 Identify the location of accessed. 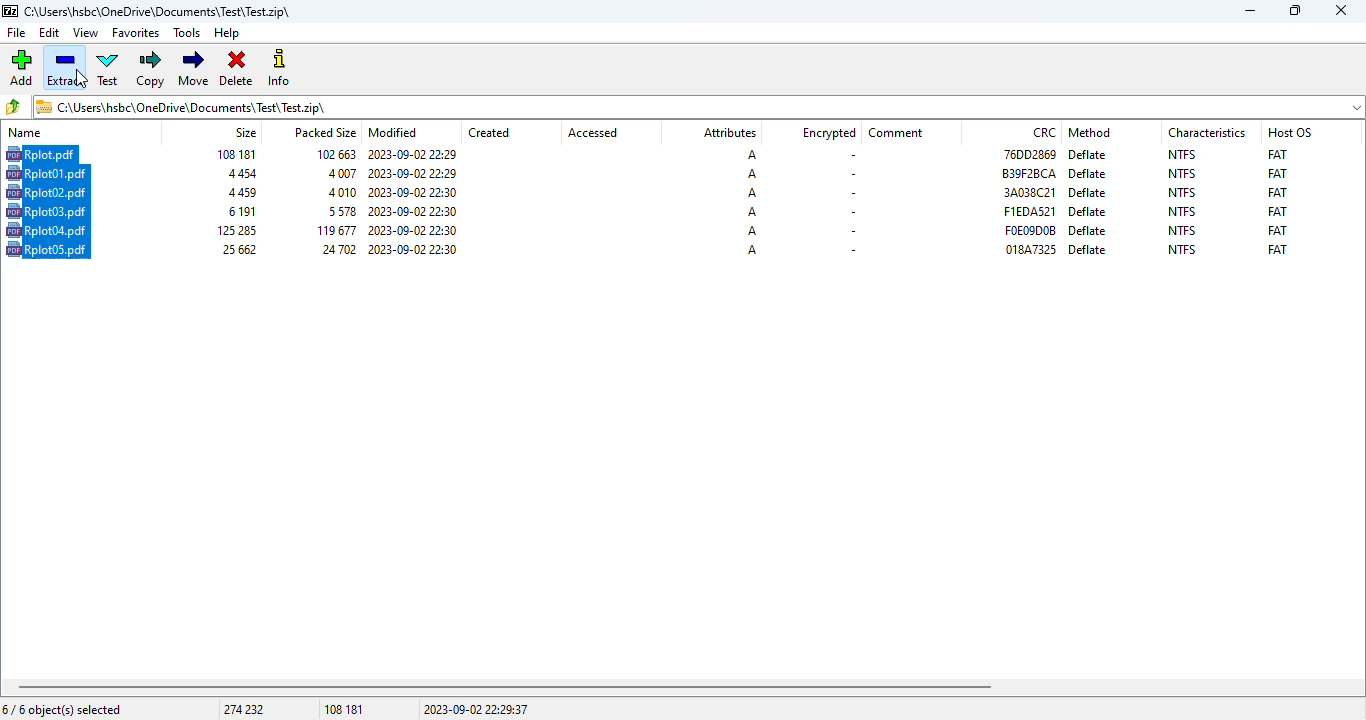
(593, 133).